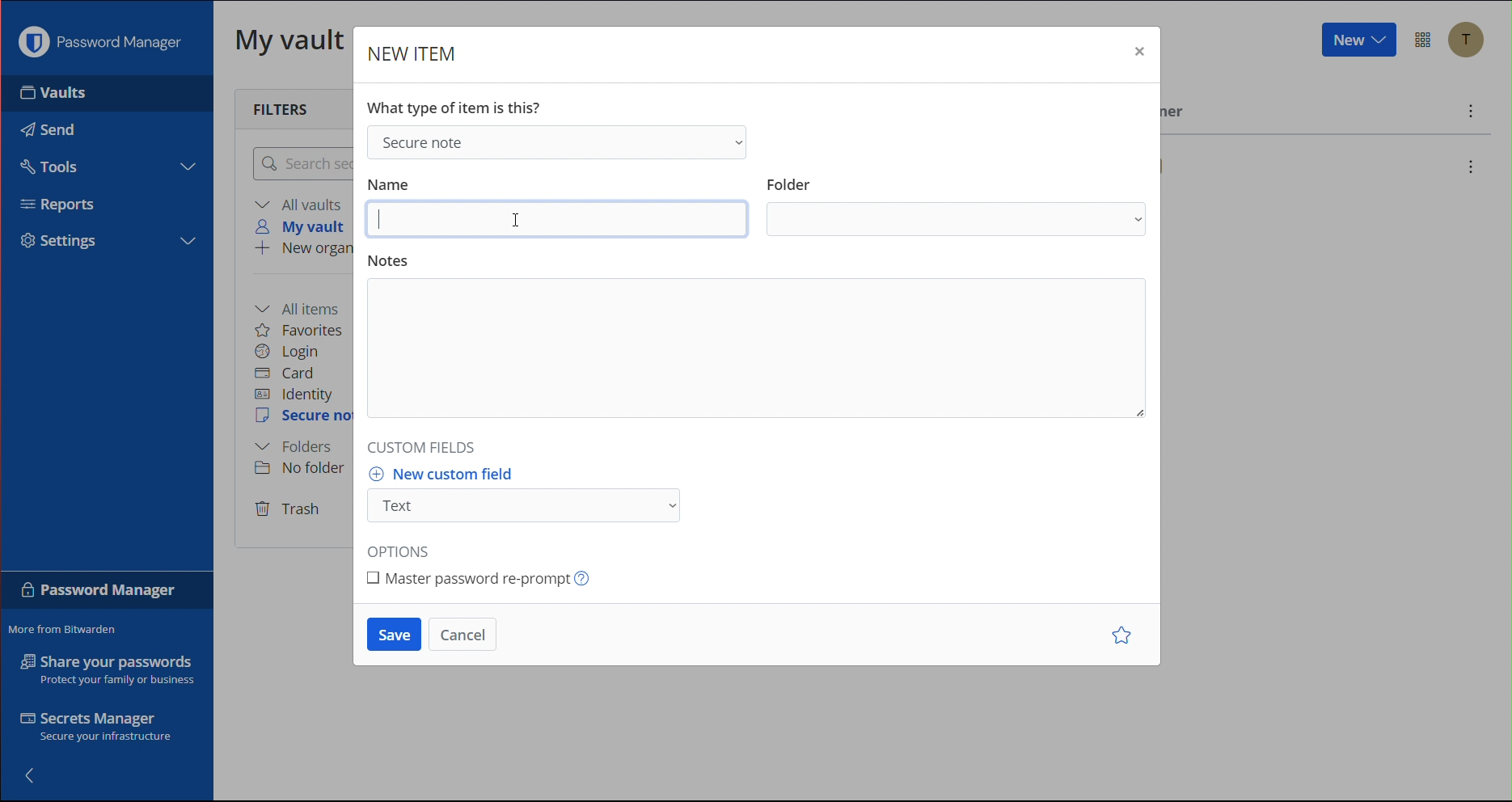 The image size is (1512, 802). Describe the element at coordinates (305, 467) in the screenshot. I see `No folder` at that location.